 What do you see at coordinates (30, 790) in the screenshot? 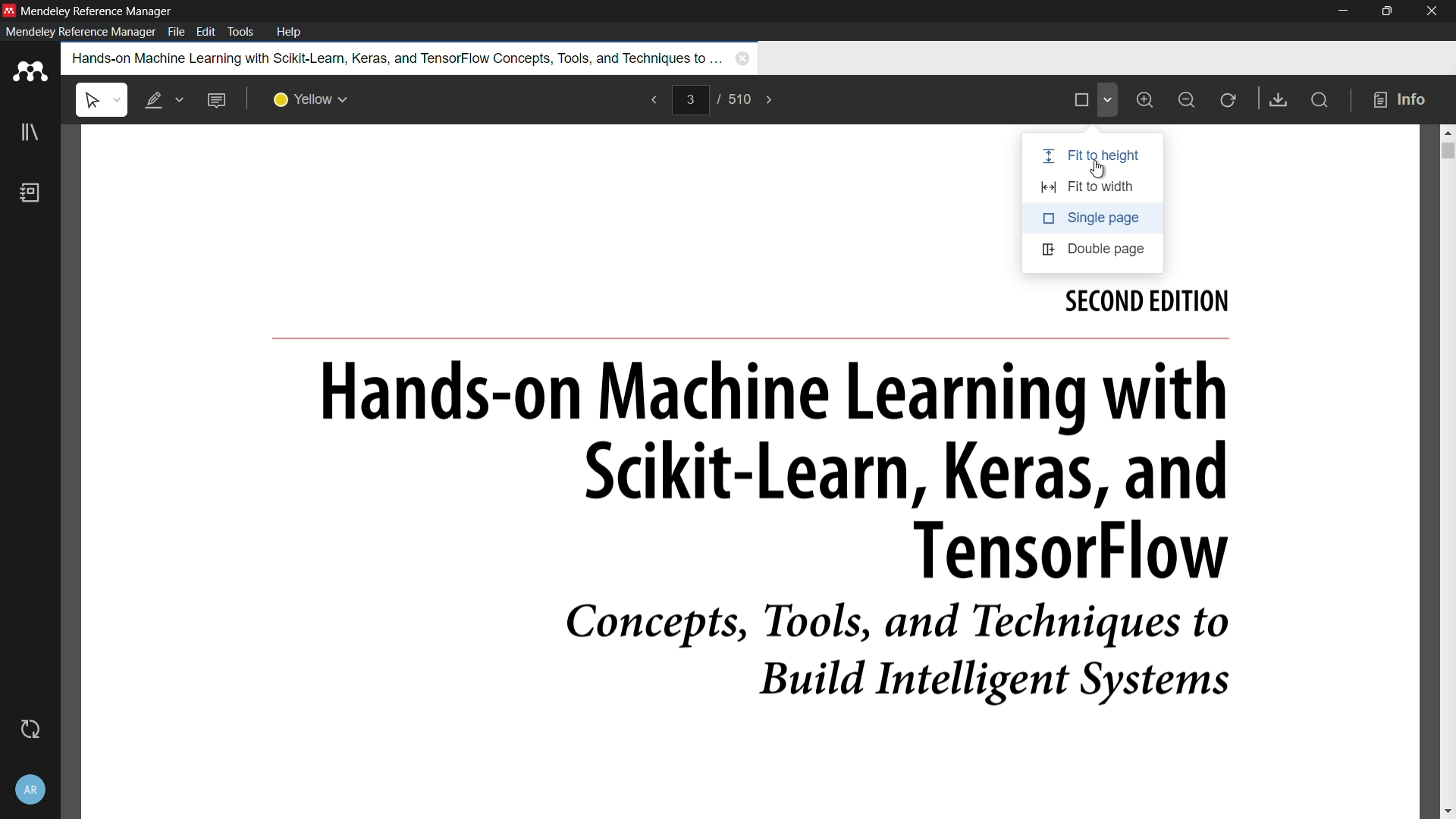
I see `account and settings` at bounding box center [30, 790].